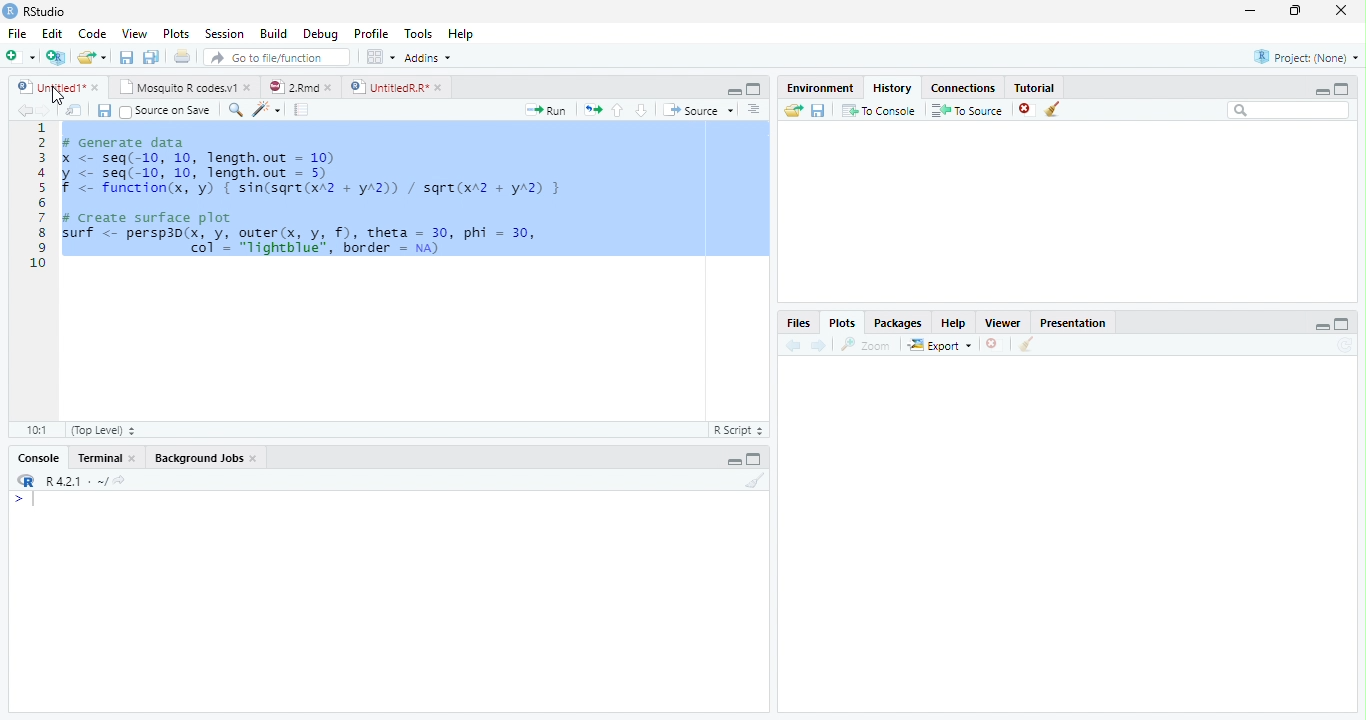  I want to click on Plots, so click(843, 322).